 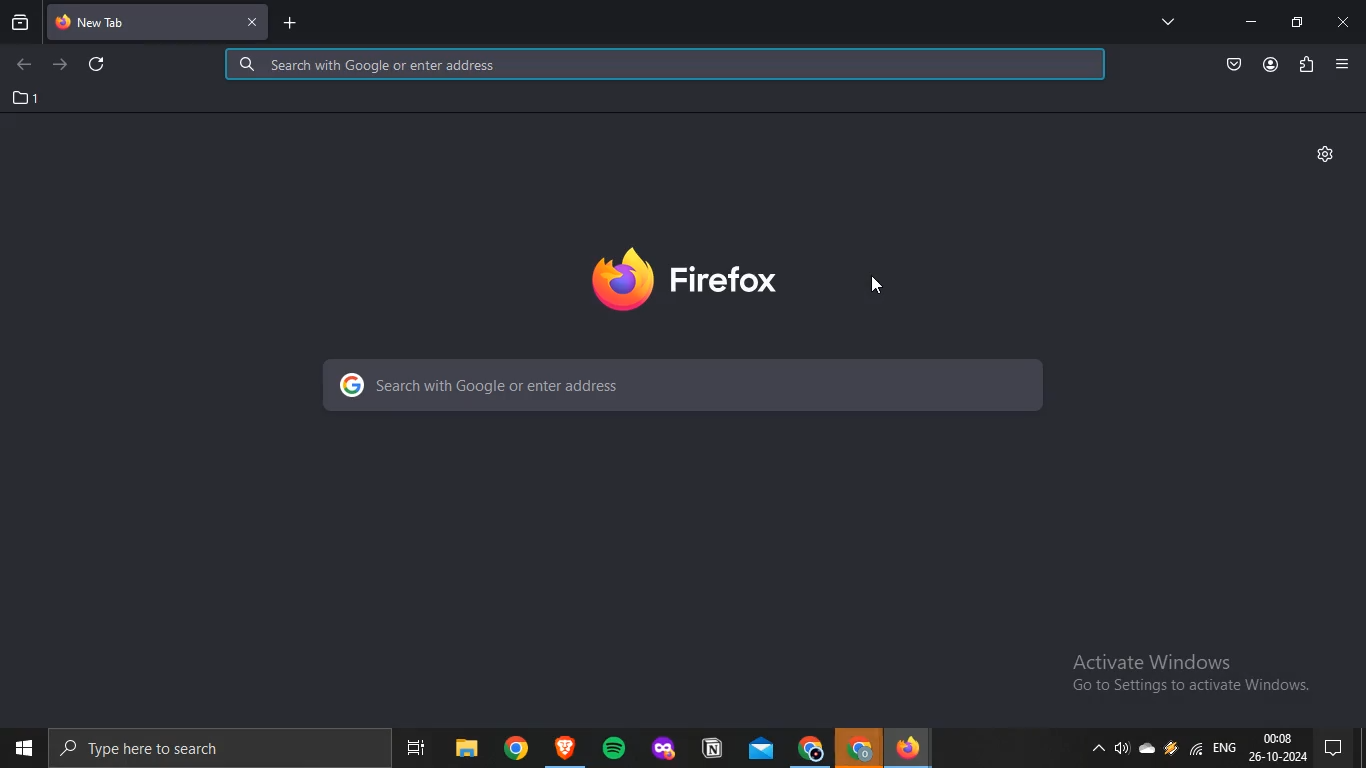 What do you see at coordinates (1251, 22) in the screenshot?
I see `minimize` at bounding box center [1251, 22].